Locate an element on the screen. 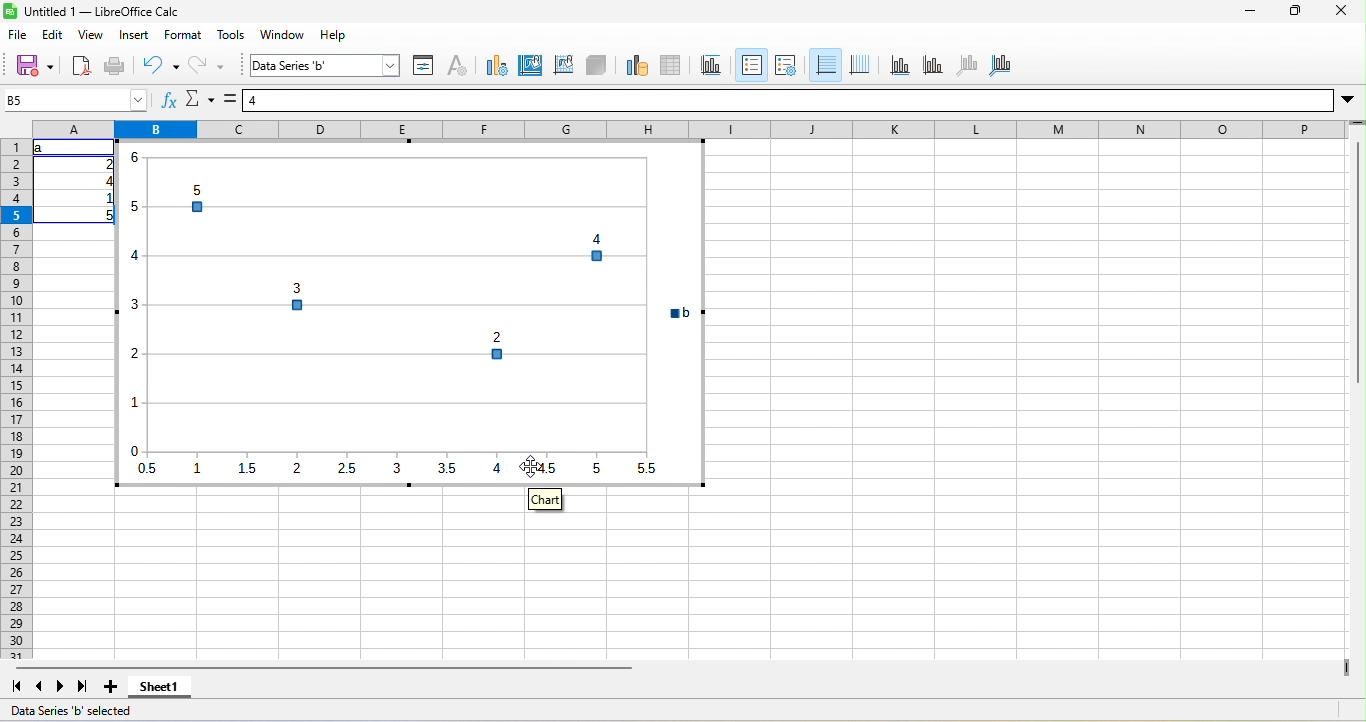 The height and width of the screenshot is (722, 1366). 5 is located at coordinates (105, 216).